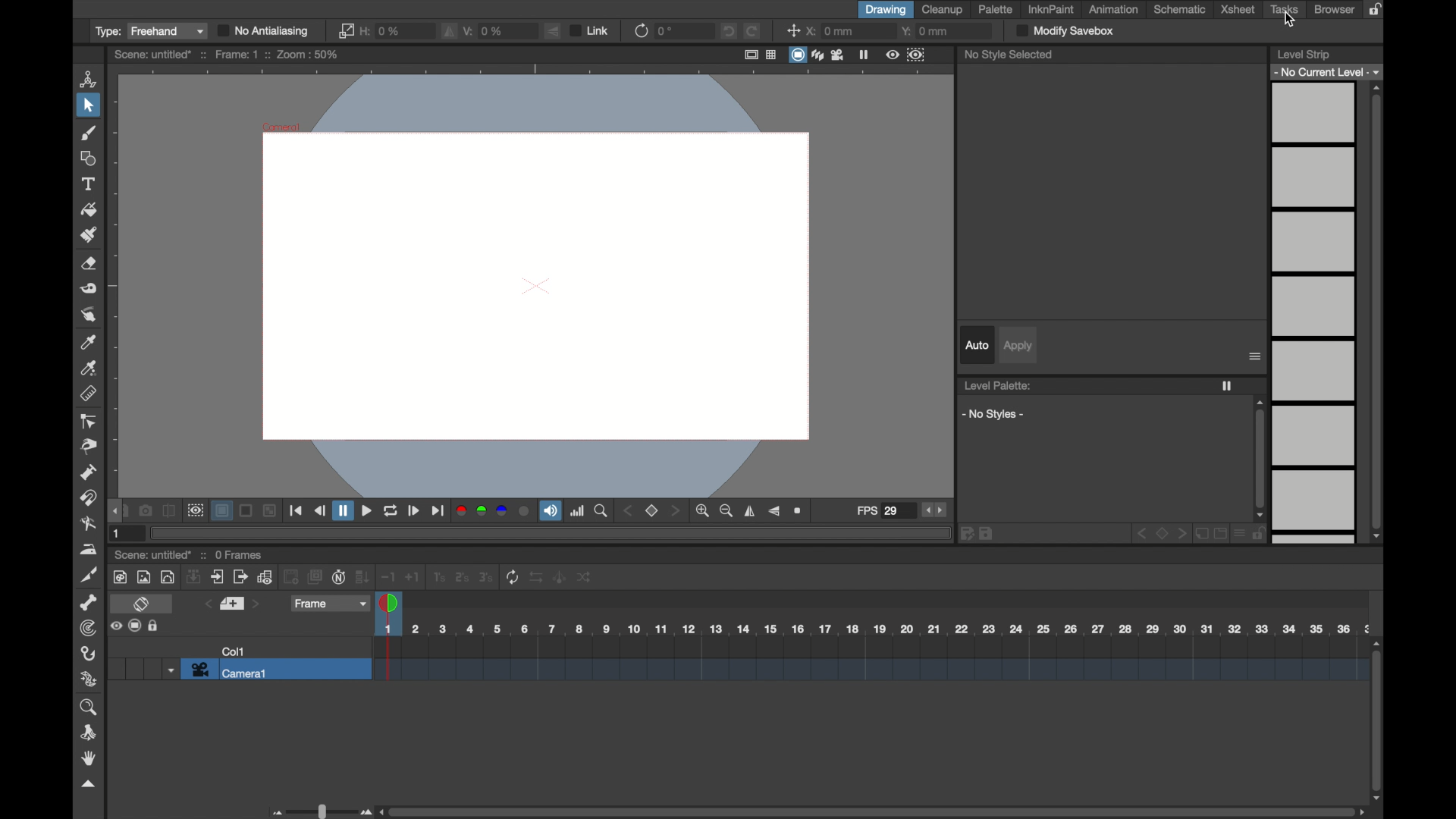 This screenshot has height=819, width=1456. What do you see at coordinates (1287, 10) in the screenshot?
I see `tasks` at bounding box center [1287, 10].